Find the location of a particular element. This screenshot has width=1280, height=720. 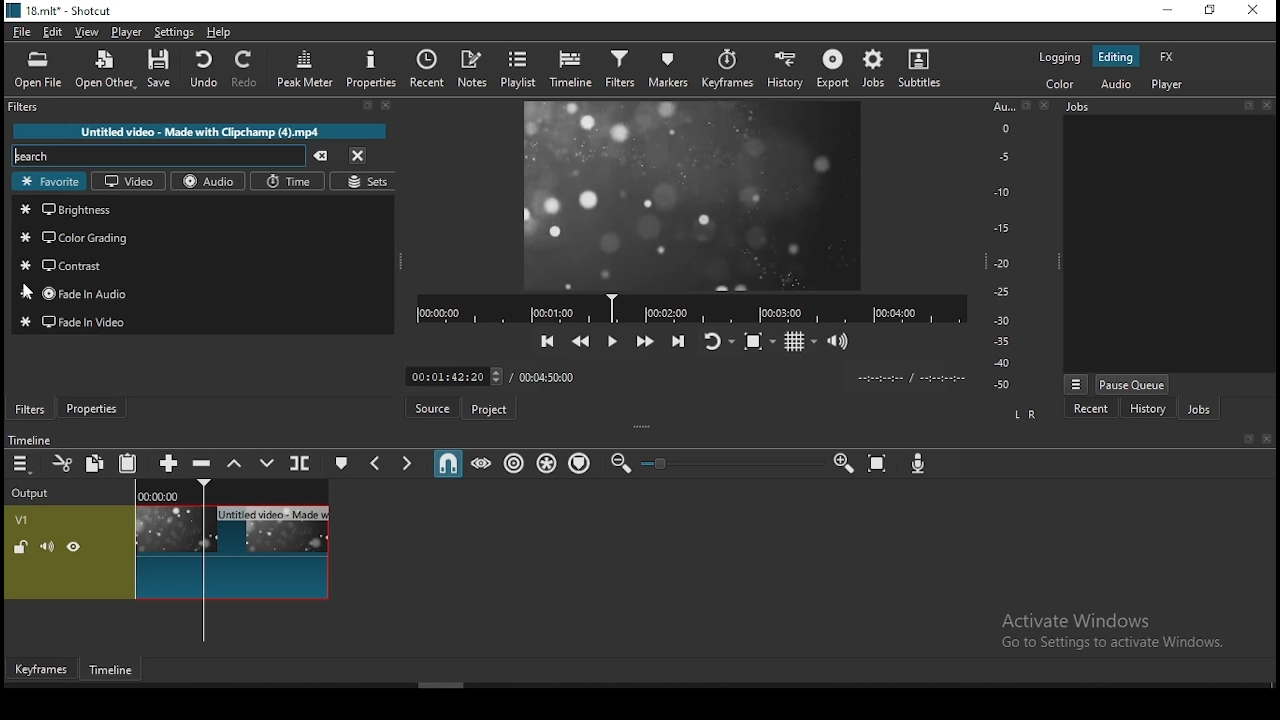

keyframes is located at coordinates (42, 669).